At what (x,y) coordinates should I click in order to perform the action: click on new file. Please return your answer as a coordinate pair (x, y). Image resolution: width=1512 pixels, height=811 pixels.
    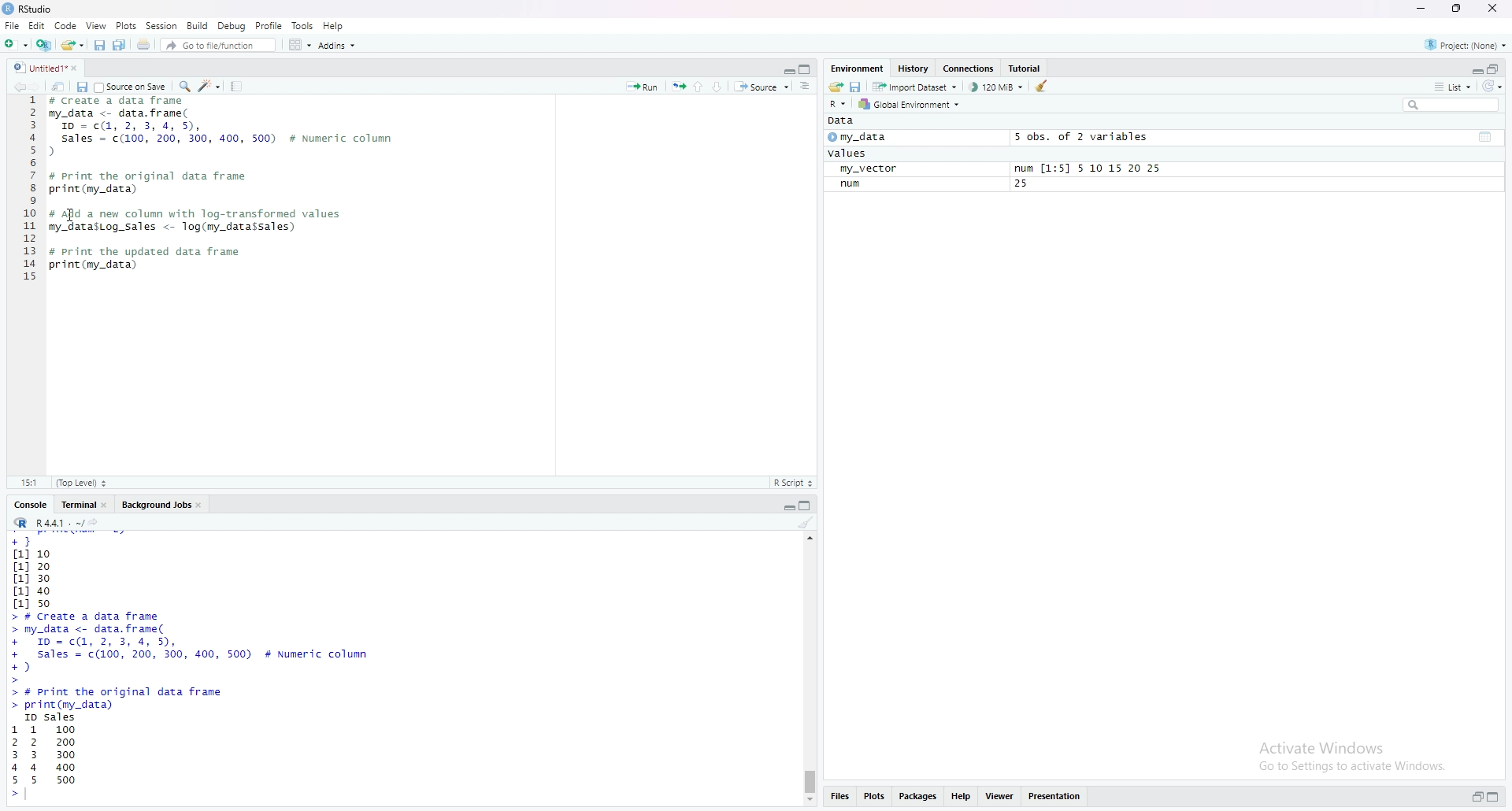
    Looking at the image, I should click on (15, 43).